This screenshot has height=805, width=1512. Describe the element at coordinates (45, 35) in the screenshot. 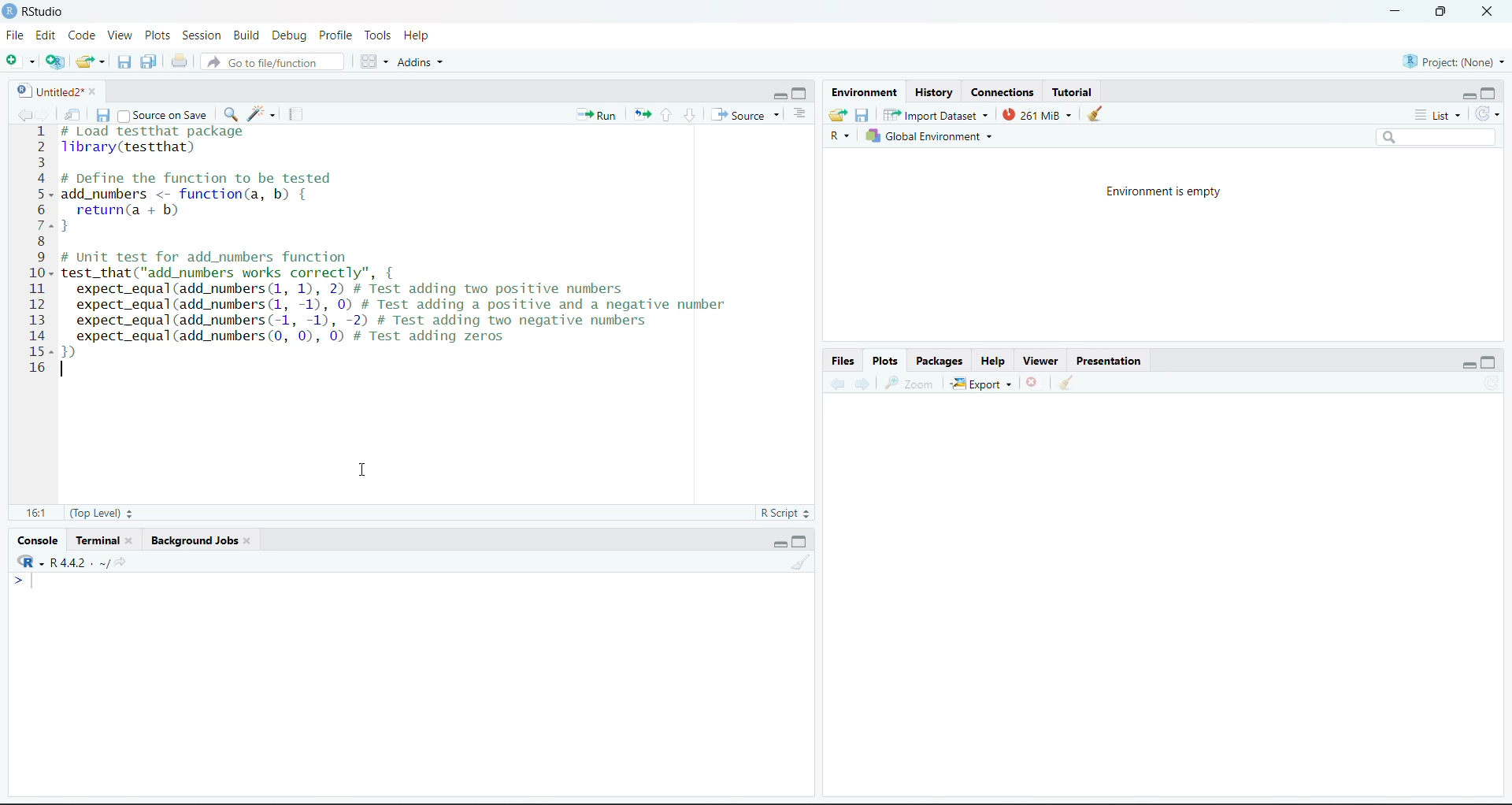

I see `Edit` at that location.